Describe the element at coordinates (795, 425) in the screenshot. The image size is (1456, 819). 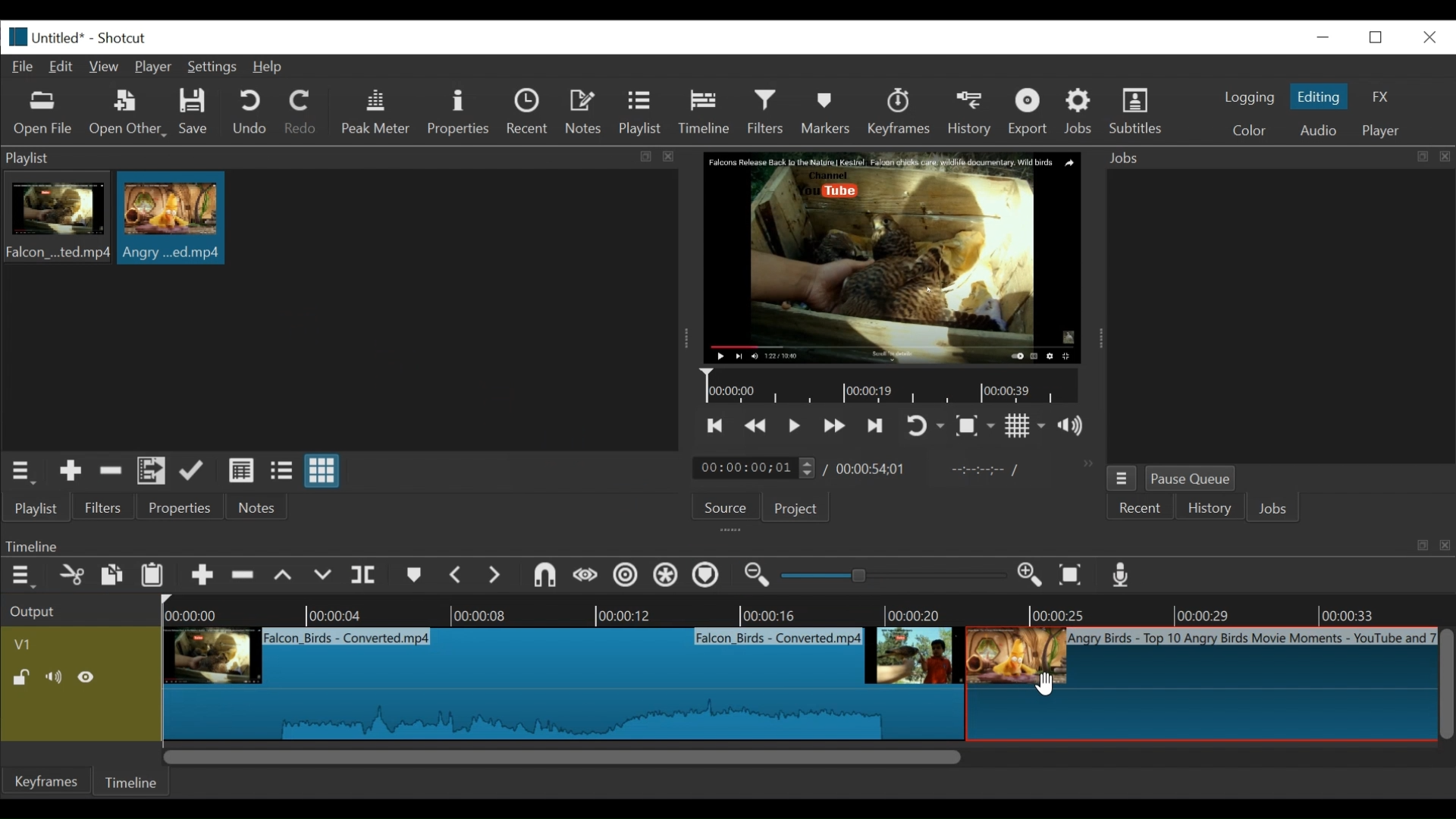
I see `Toggle play or pause` at that location.